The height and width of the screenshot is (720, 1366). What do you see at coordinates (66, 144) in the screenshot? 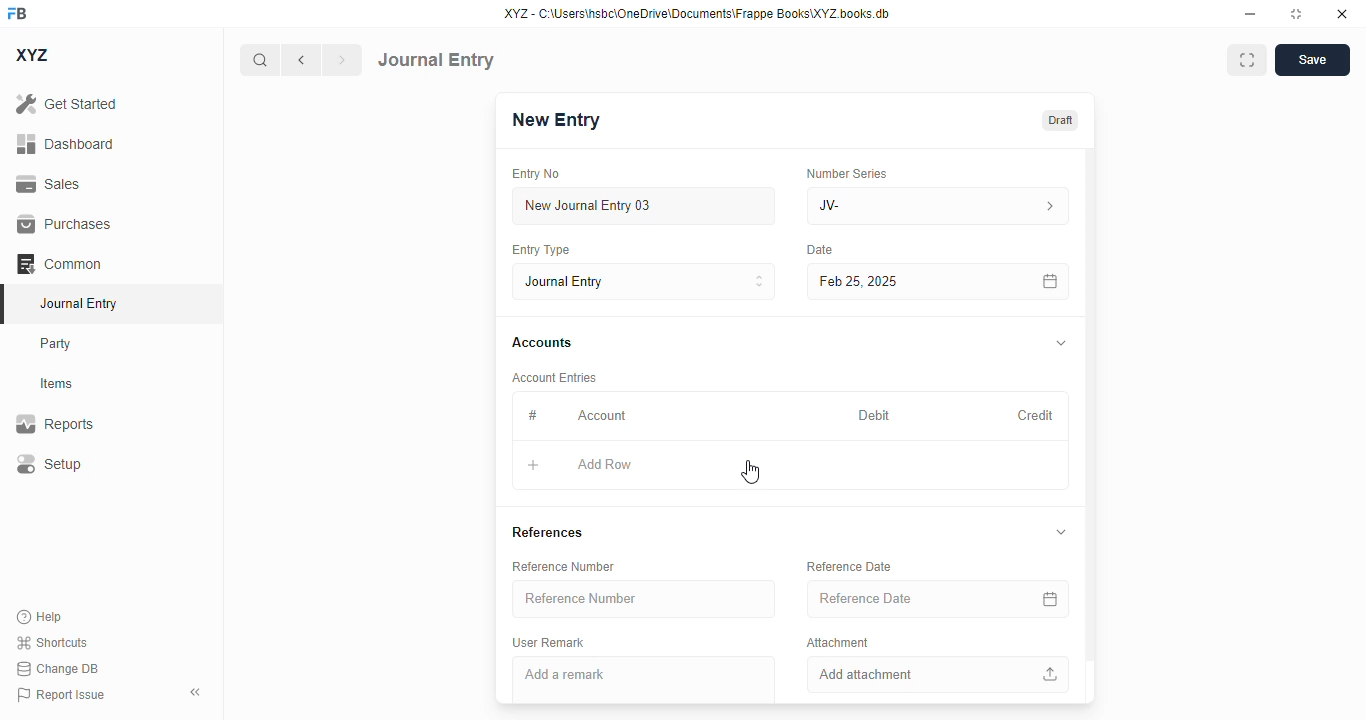
I see `dashboard` at bounding box center [66, 144].